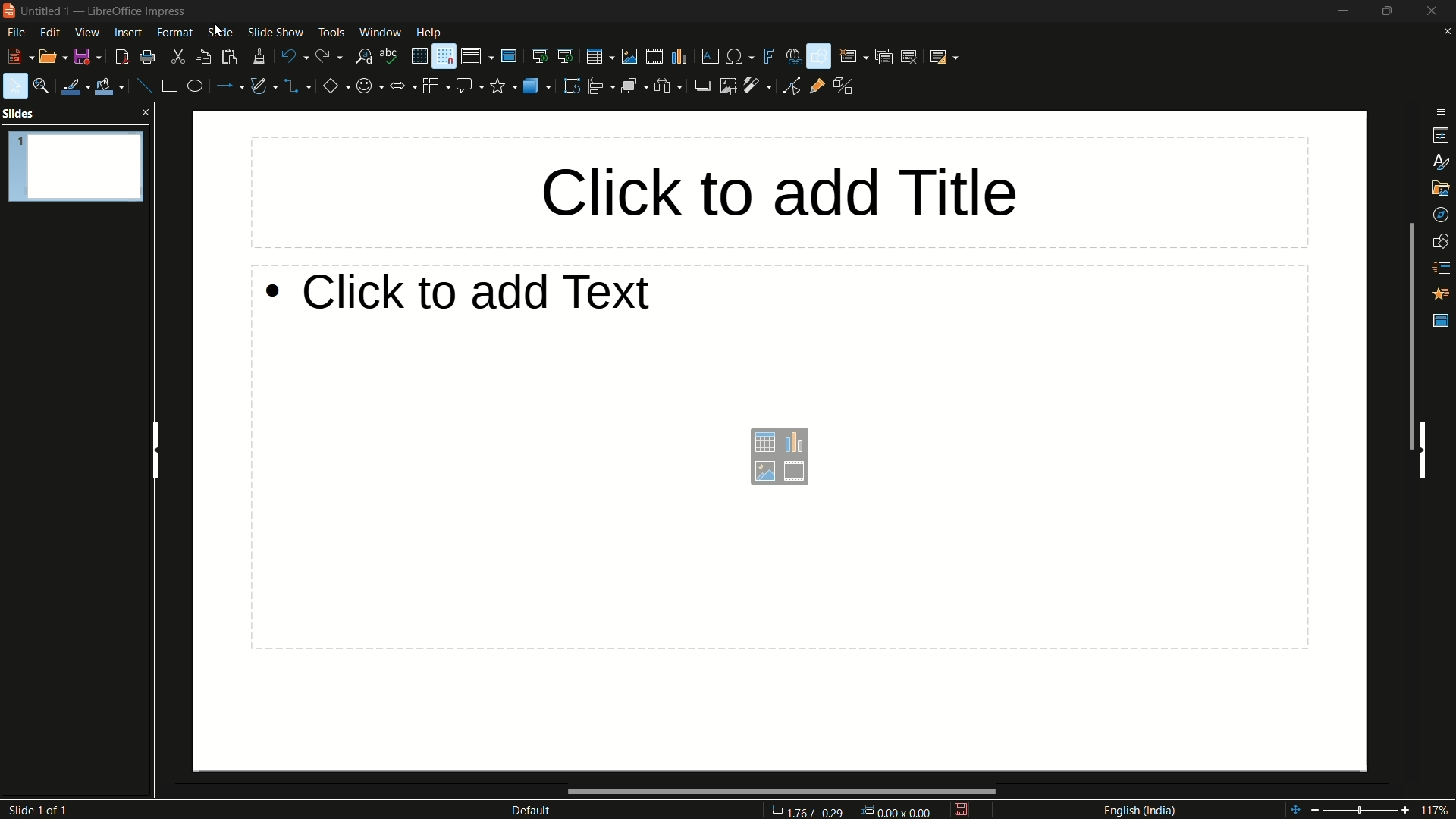 This screenshot has height=819, width=1456. I want to click on adjustment bar, so click(1361, 812).